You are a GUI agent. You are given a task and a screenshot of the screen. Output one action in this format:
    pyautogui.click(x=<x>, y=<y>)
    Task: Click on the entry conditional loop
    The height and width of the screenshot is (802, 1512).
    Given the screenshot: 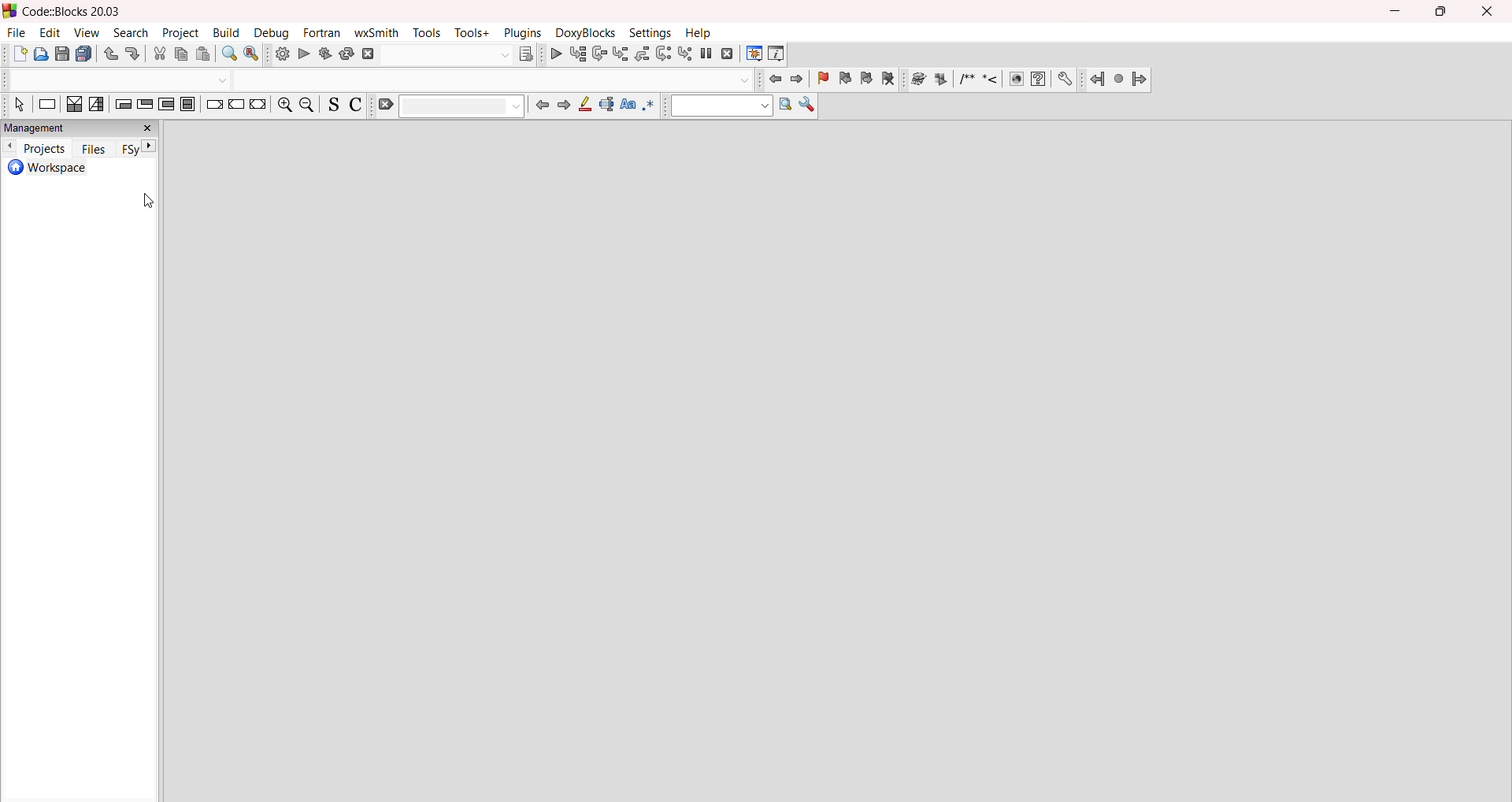 What is the action you would take?
    pyautogui.click(x=123, y=107)
    